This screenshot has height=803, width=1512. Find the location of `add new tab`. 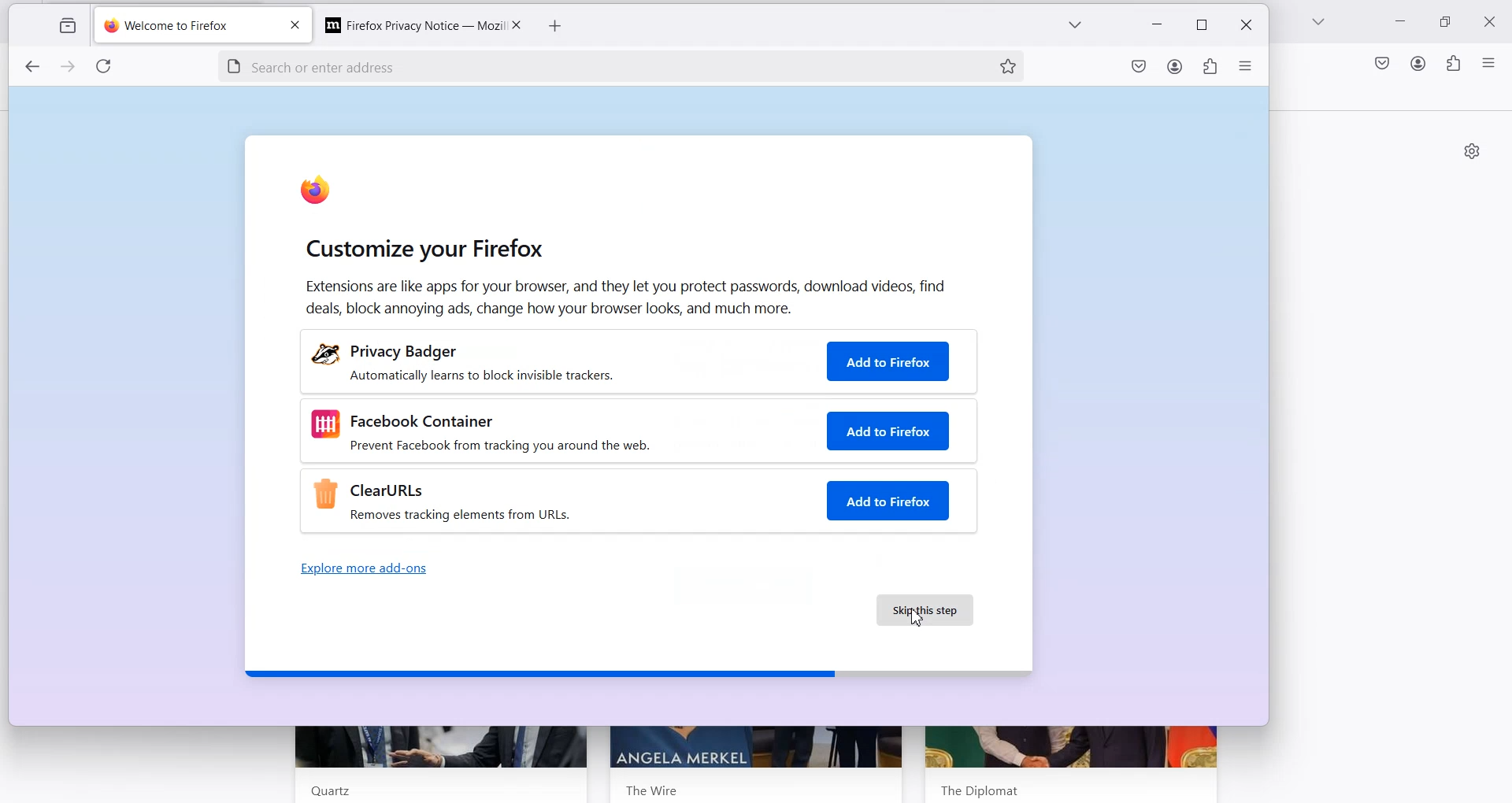

add new tab is located at coordinates (556, 27).